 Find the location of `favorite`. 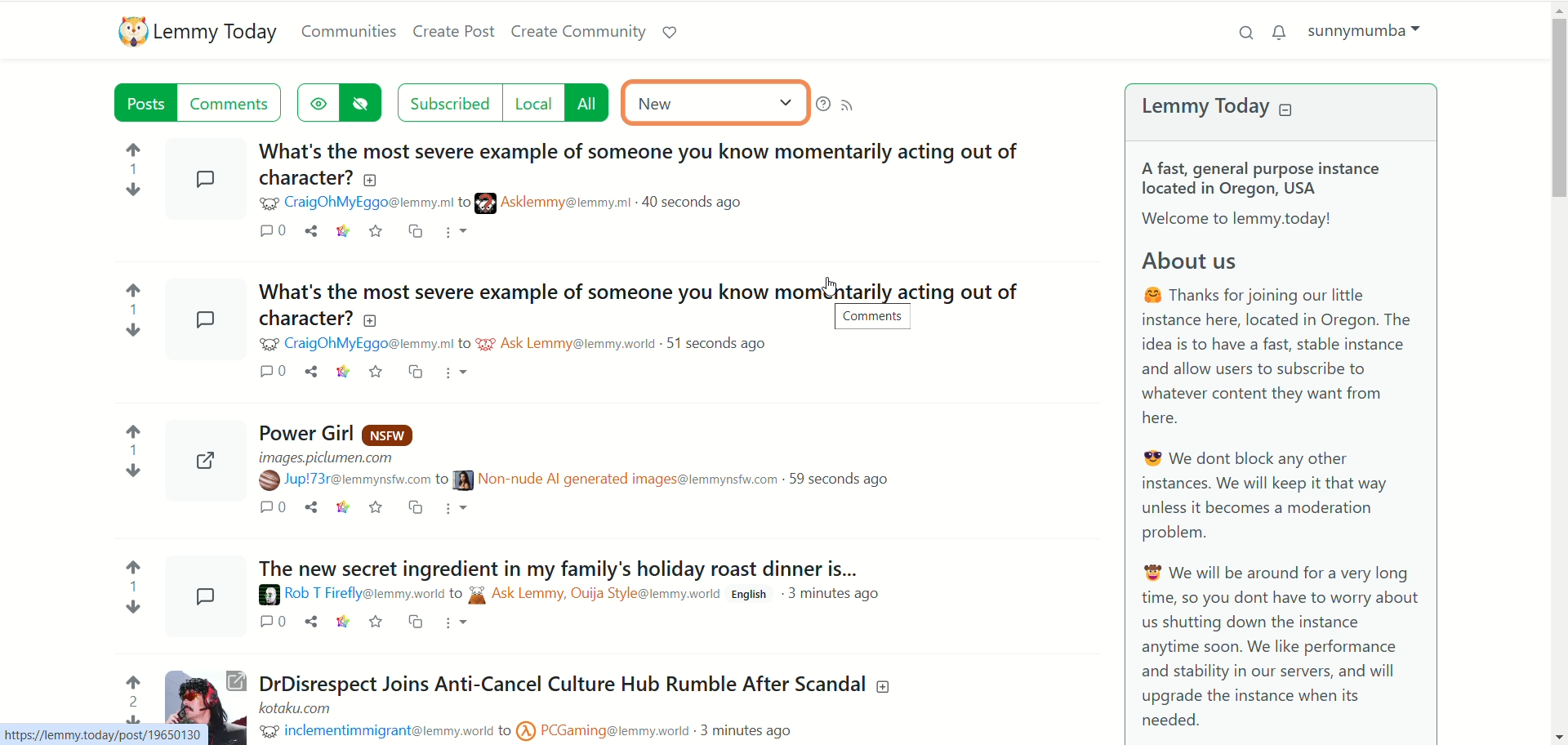

favorite is located at coordinates (385, 505).